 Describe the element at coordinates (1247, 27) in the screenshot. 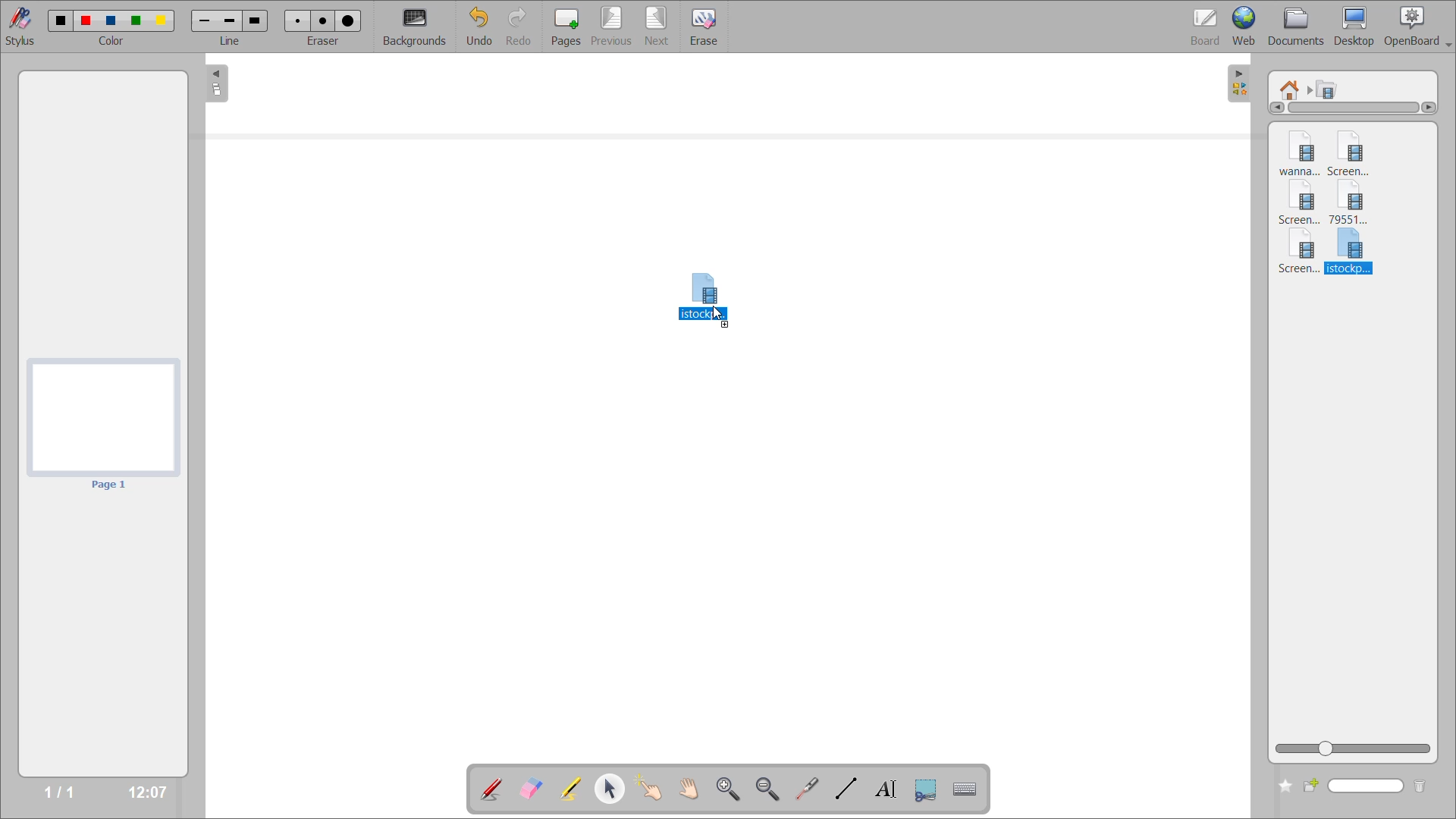

I see `web` at that location.